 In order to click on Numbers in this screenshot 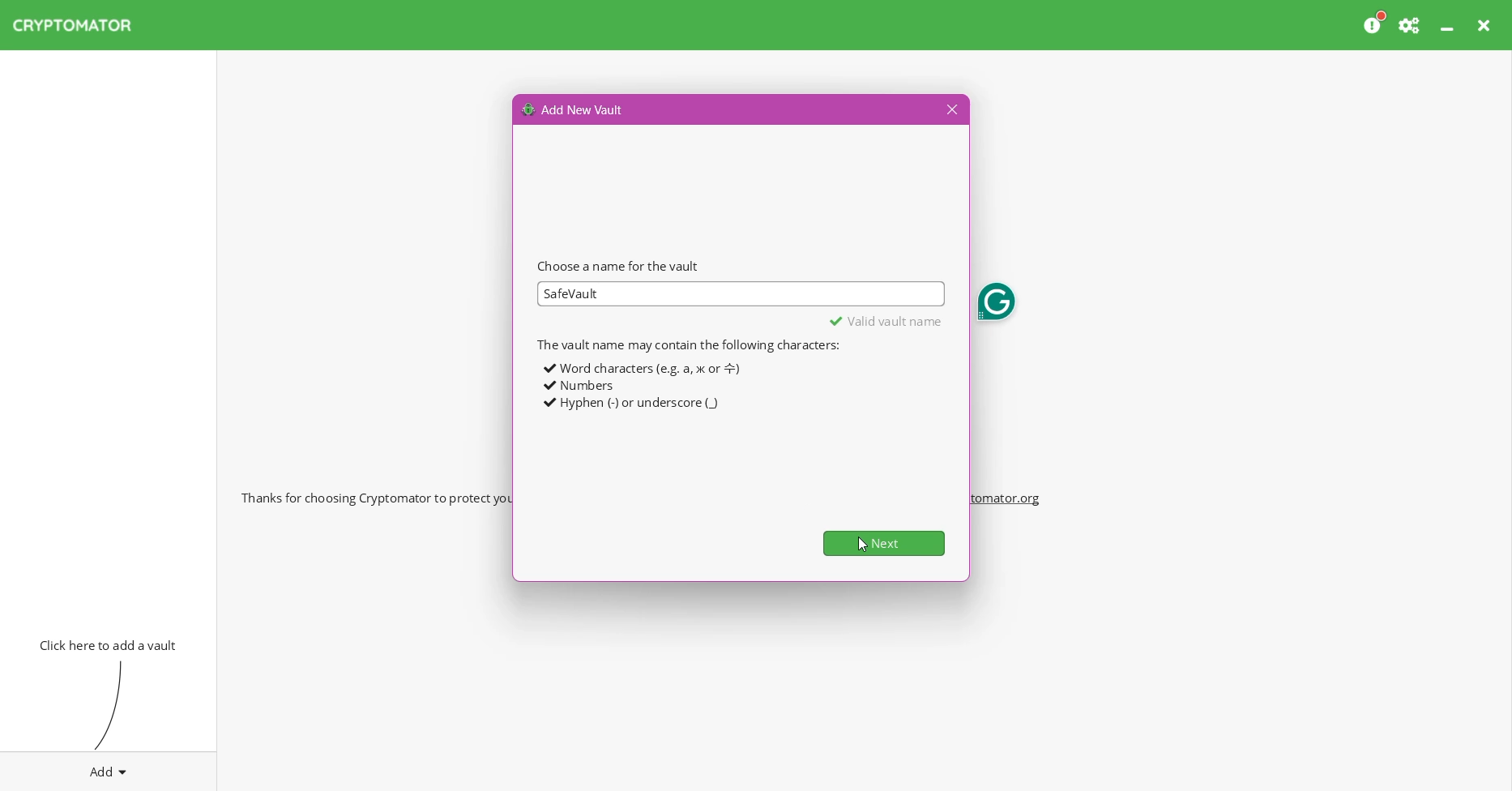, I will do `click(579, 386)`.